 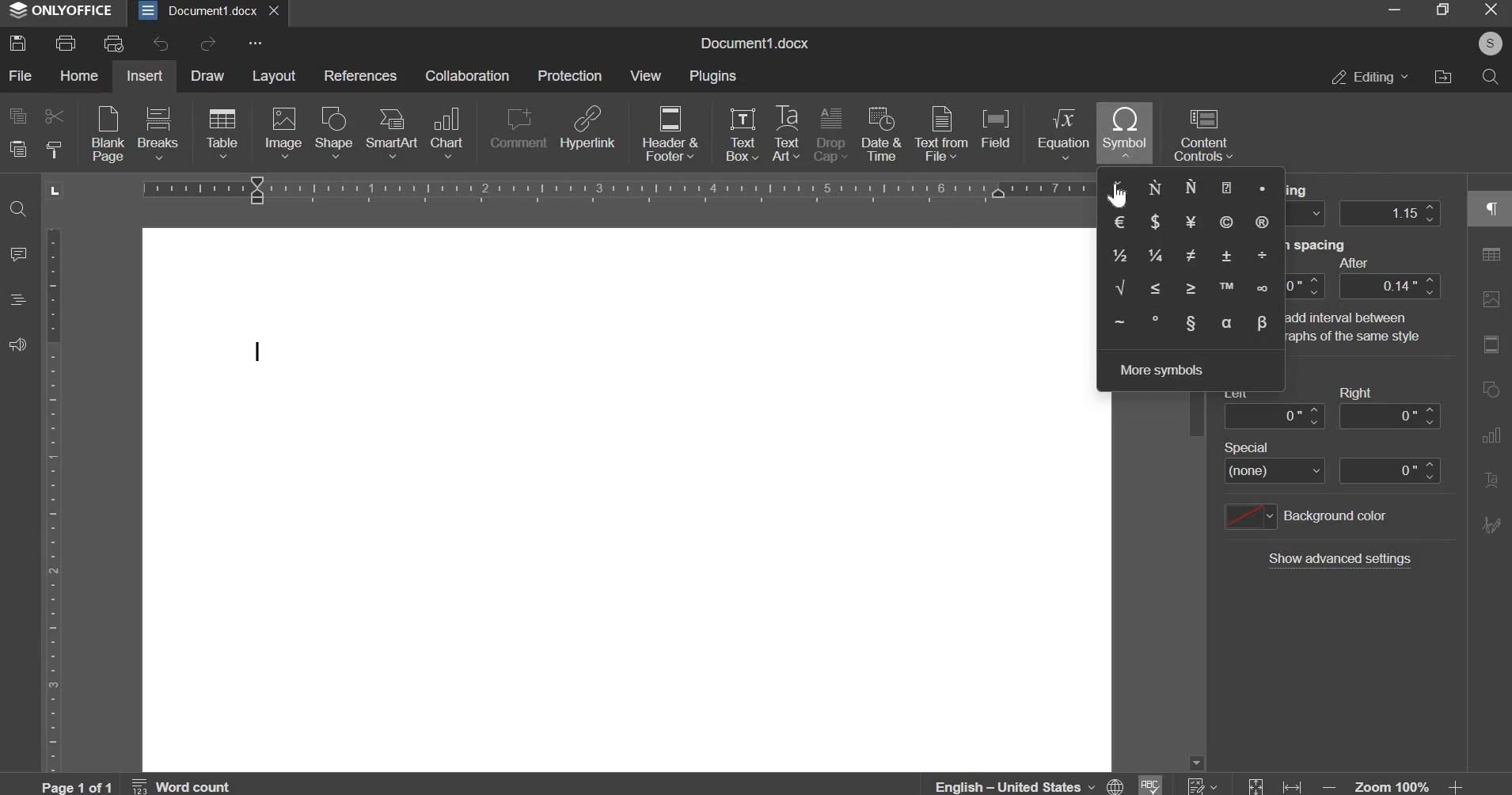 I want to click on cursor, so click(x=1129, y=196).